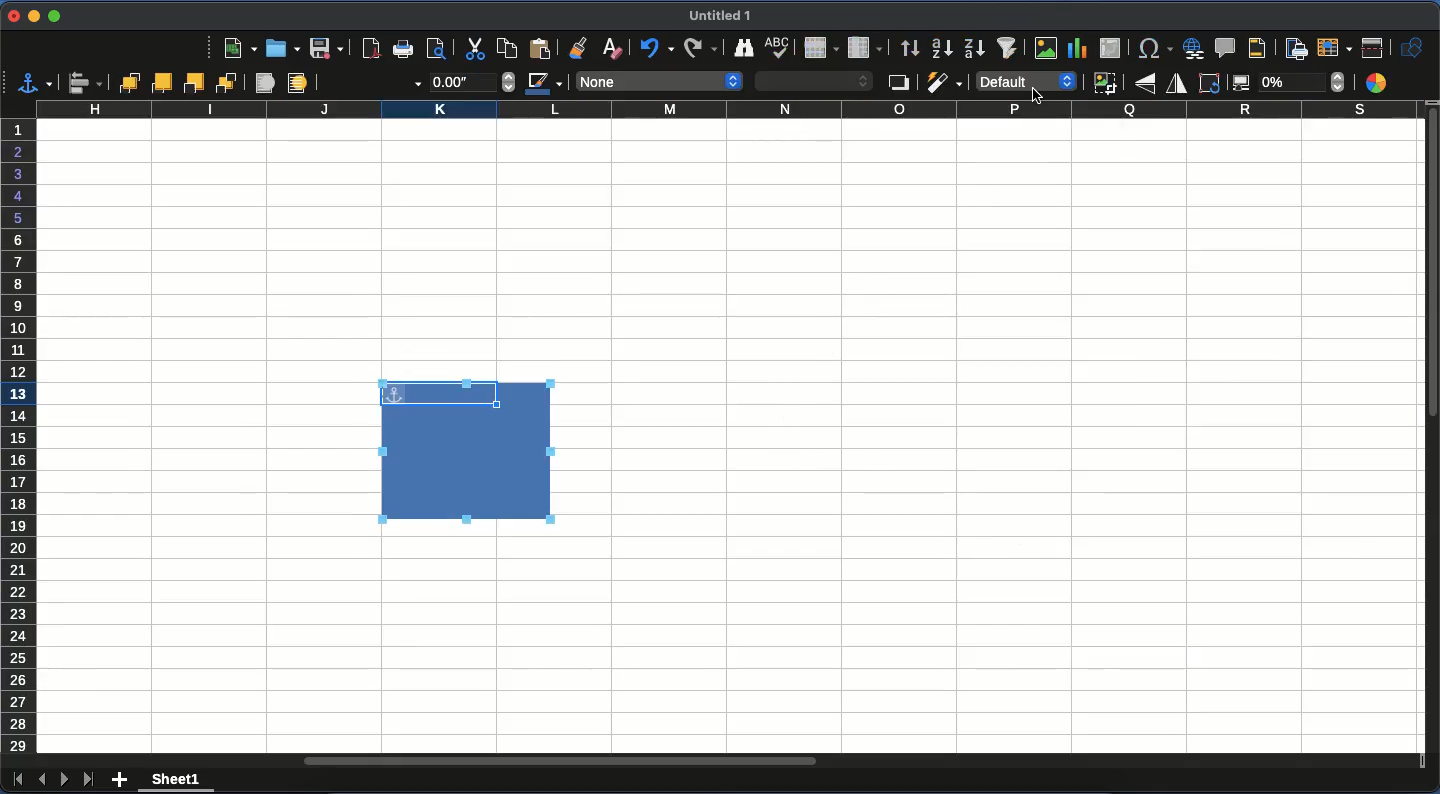  What do you see at coordinates (1288, 84) in the screenshot?
I see `transparency` at bounding box center [1288, 84].